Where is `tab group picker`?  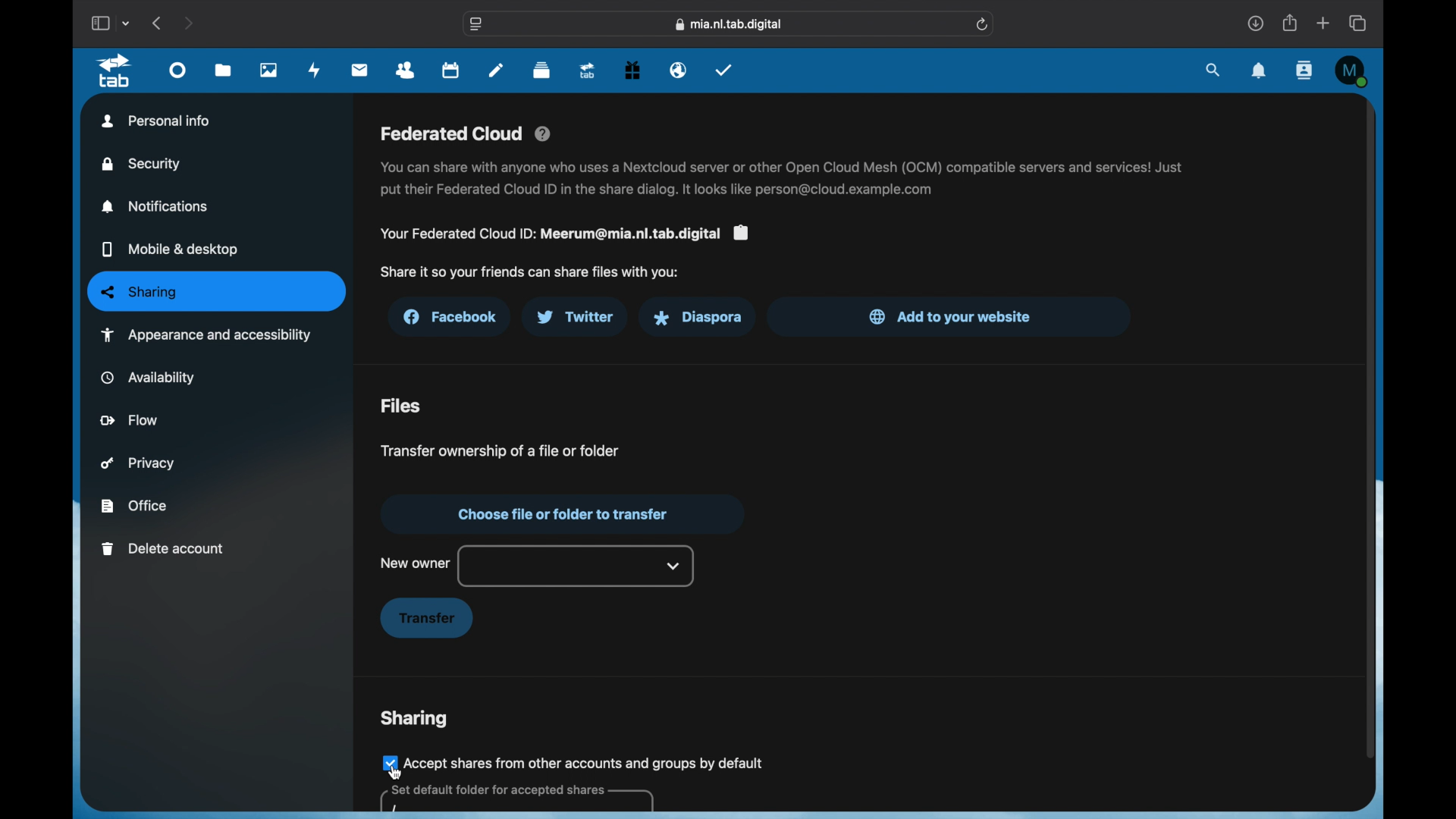
tab group picker is located at coordinates (128, 24).